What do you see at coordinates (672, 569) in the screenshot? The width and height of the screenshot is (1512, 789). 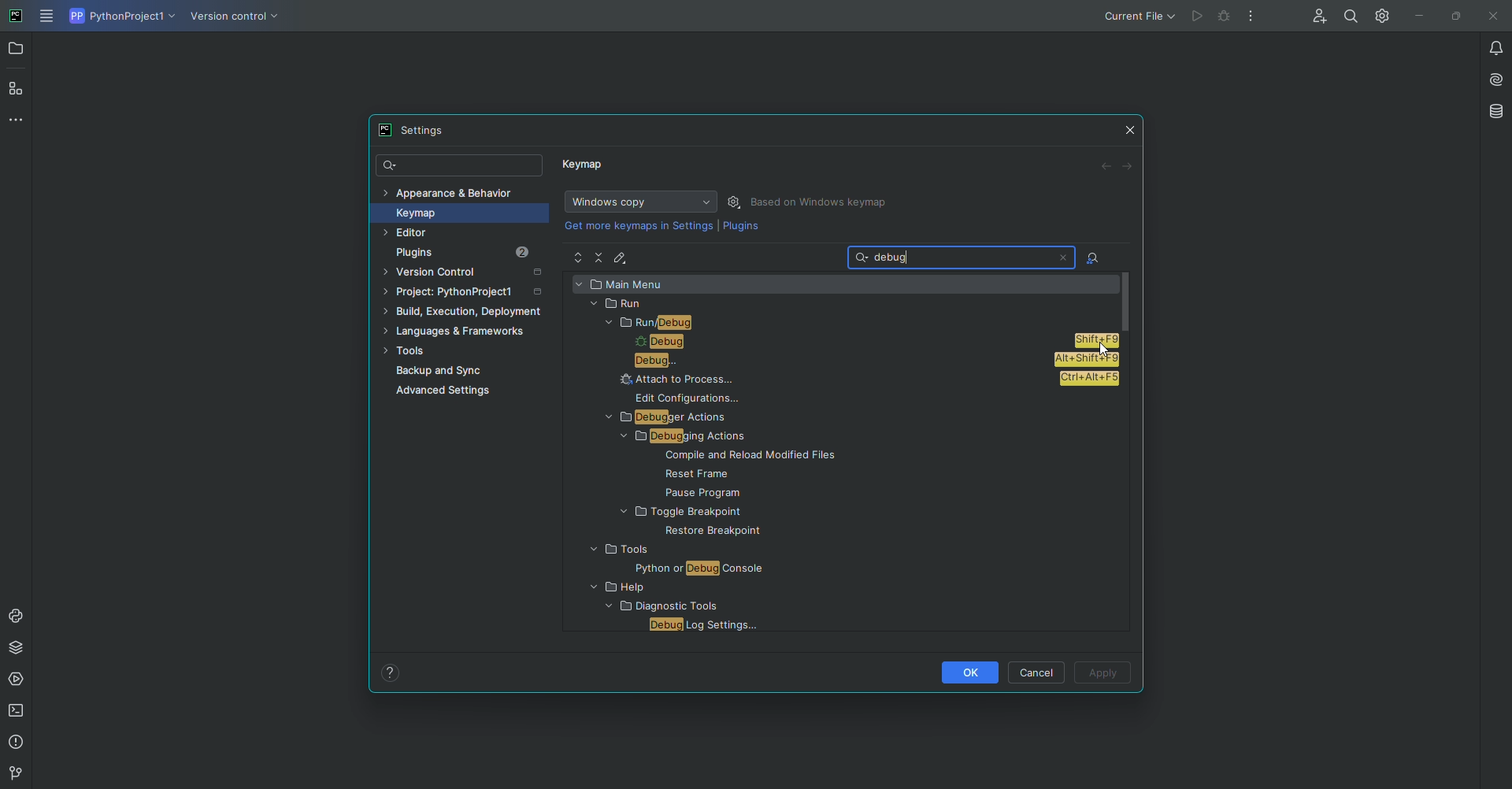 I see `FILE NAME` at bounding box center [672, 569].